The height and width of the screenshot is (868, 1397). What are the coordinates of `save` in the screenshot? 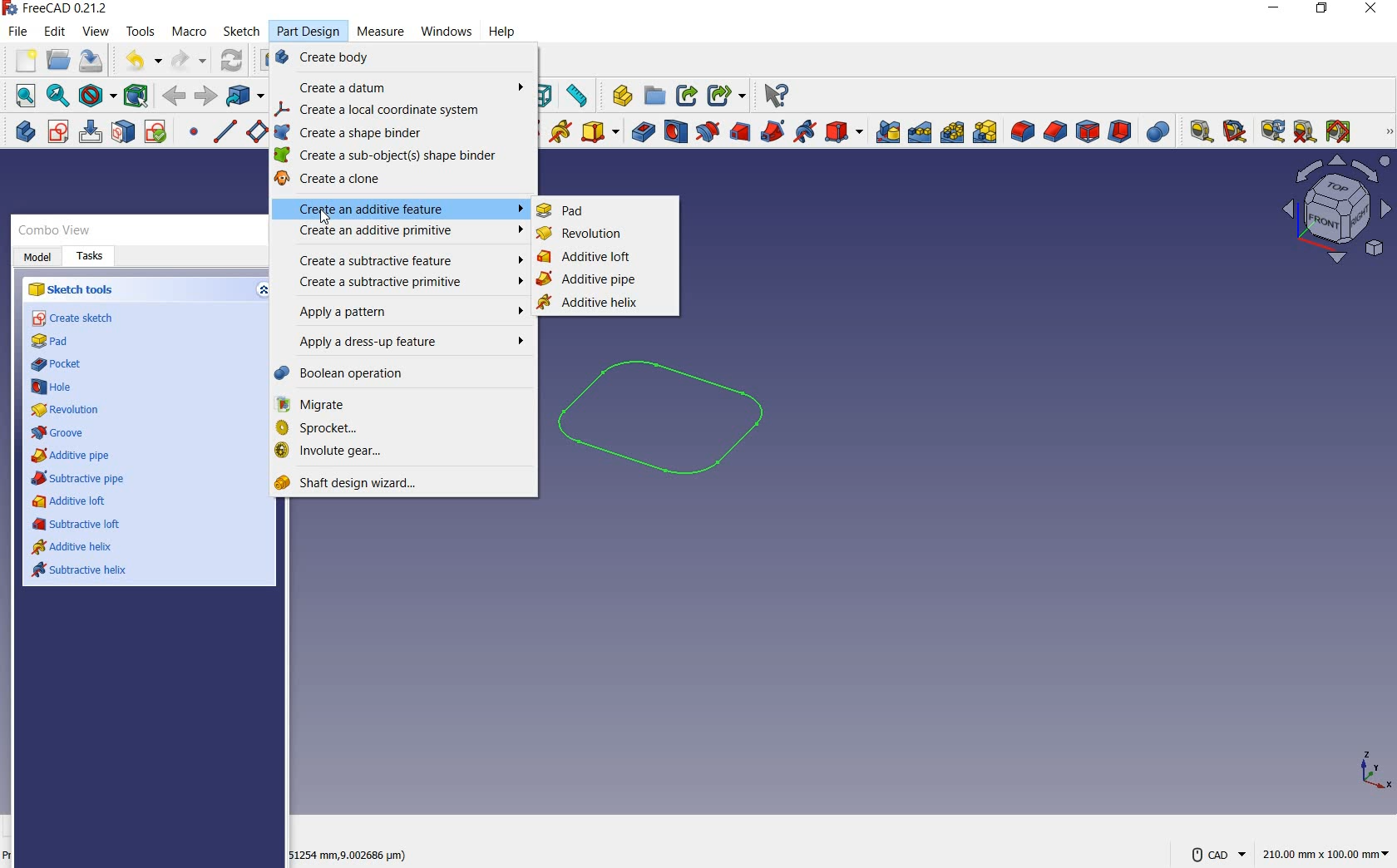 It's located at (94, 61).